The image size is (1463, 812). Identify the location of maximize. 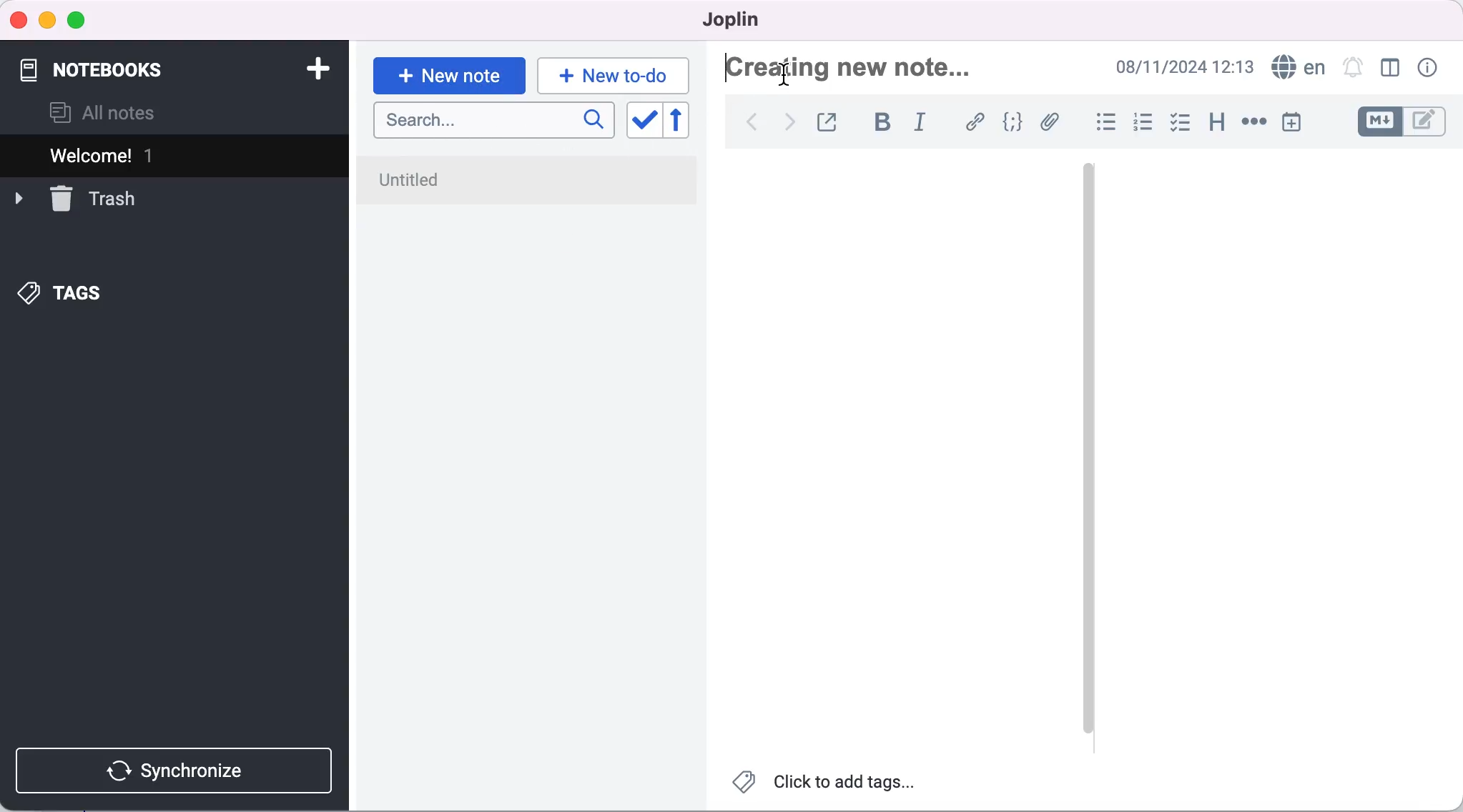
(79, 21).